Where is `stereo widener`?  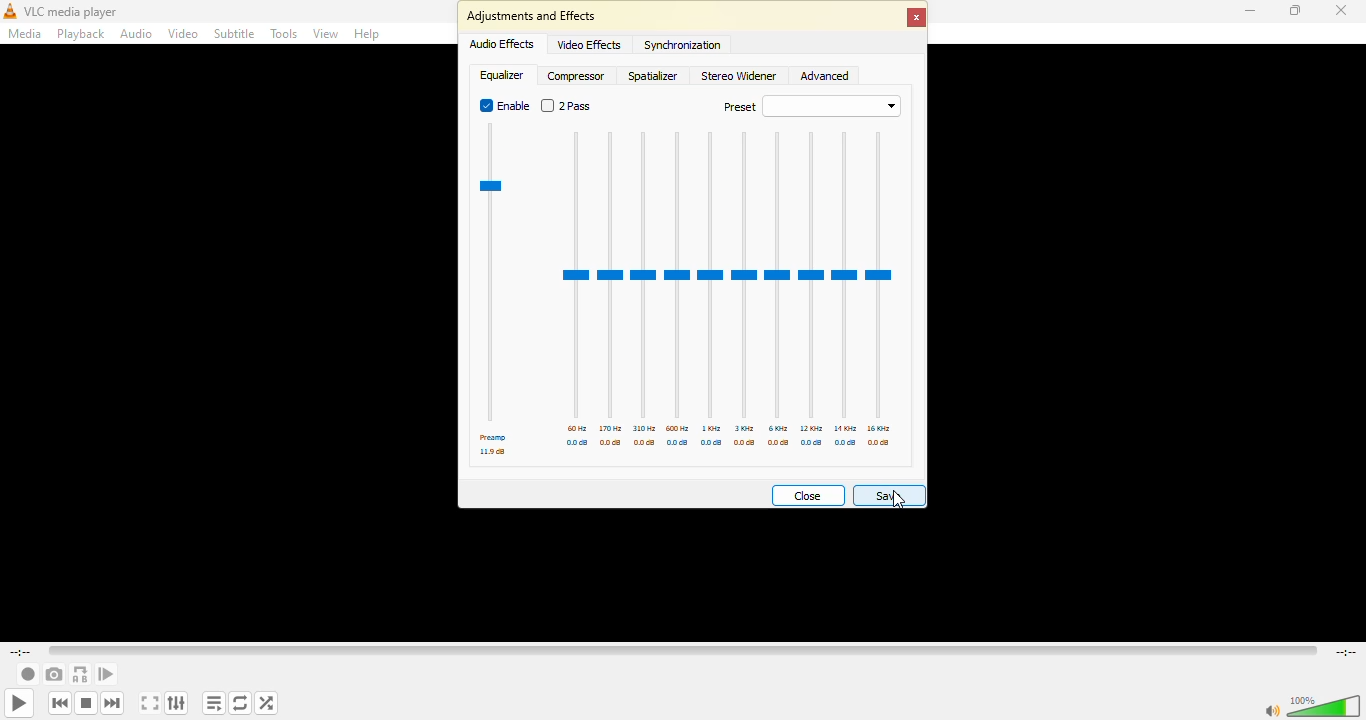 stereo widener is located at coordinates (740, 78).